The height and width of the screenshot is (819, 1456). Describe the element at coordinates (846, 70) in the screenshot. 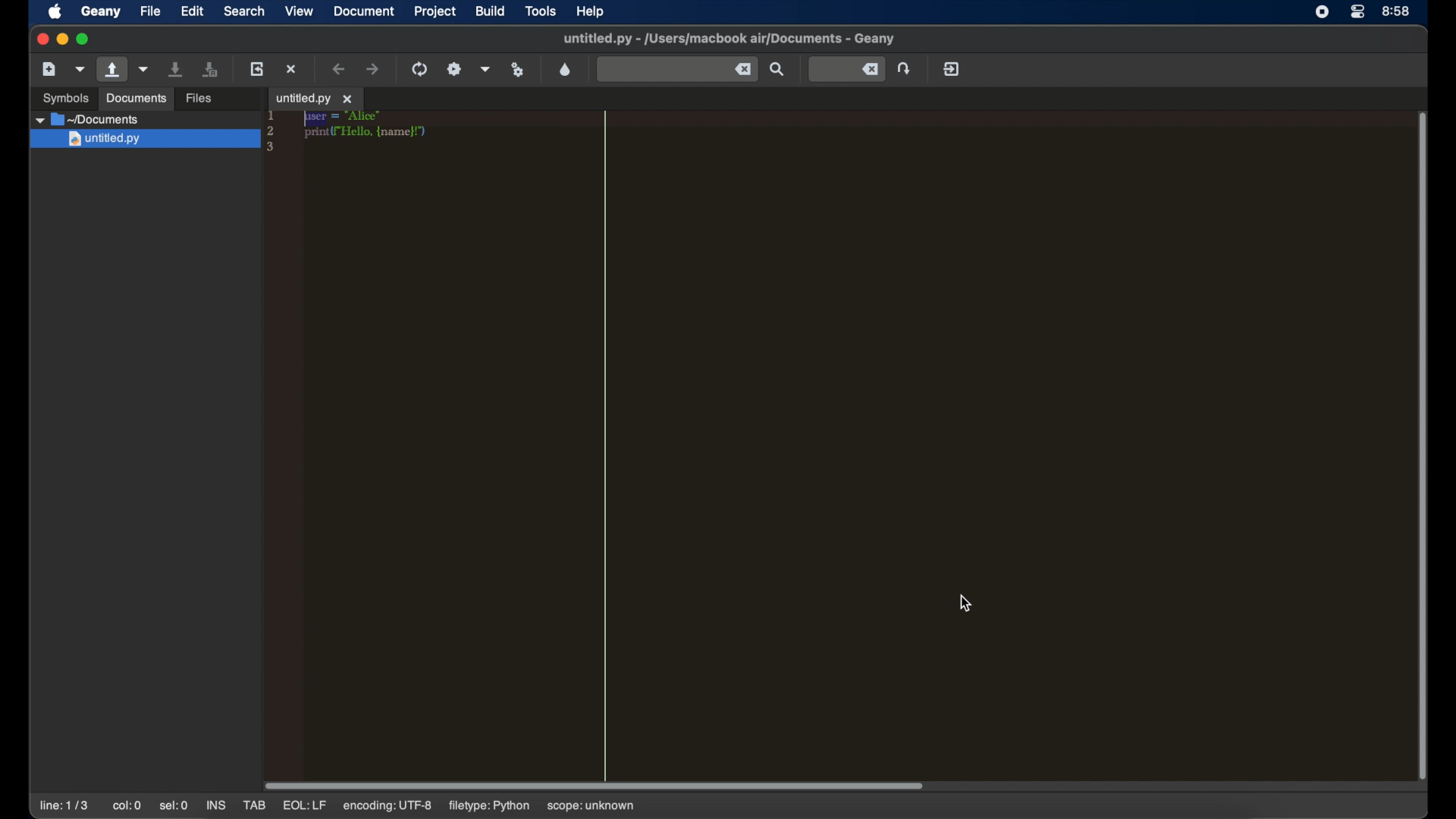

I see `jump  to the entered line number` at that location.